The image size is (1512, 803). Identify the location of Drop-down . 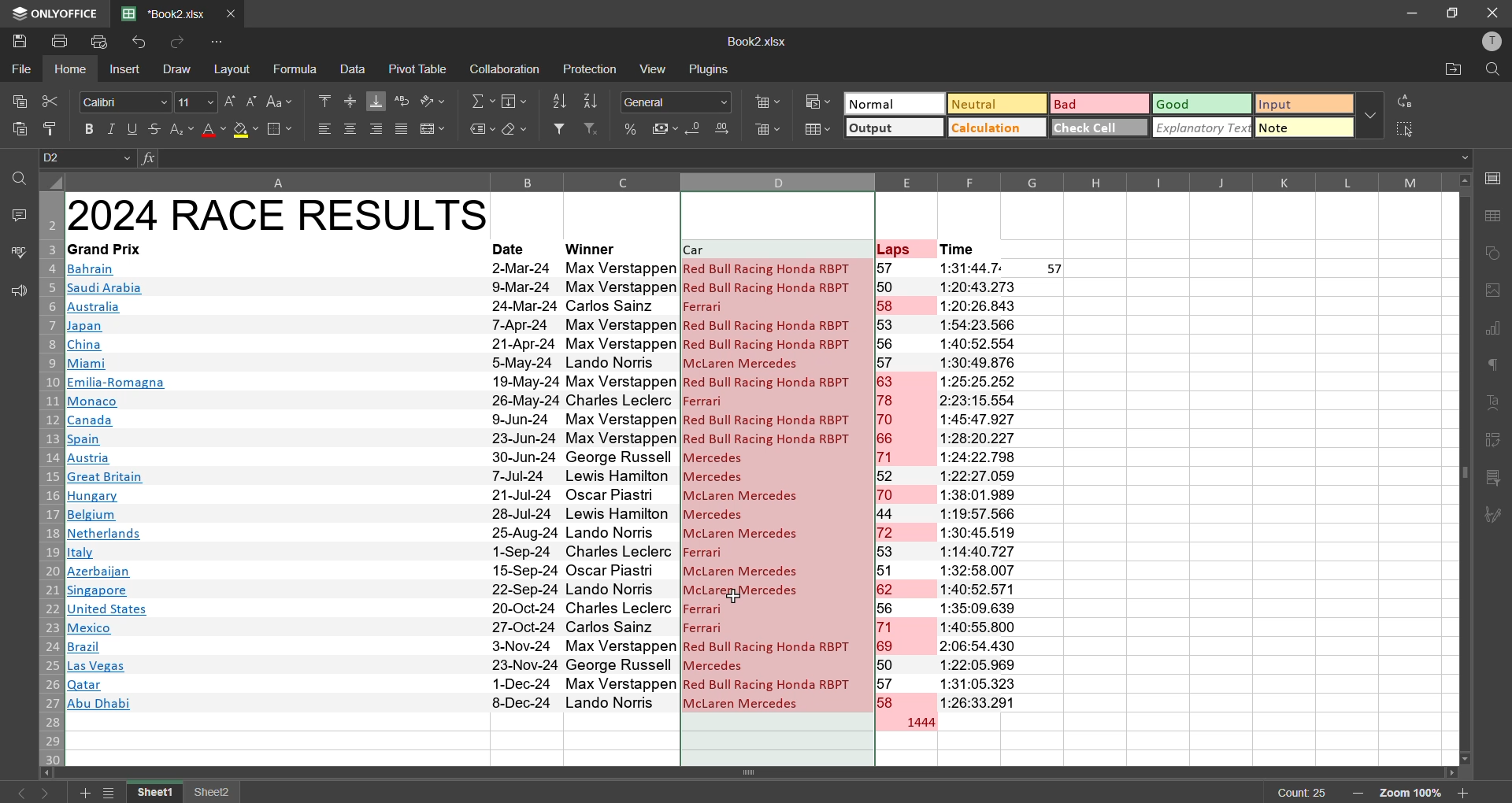
(1467, 158).